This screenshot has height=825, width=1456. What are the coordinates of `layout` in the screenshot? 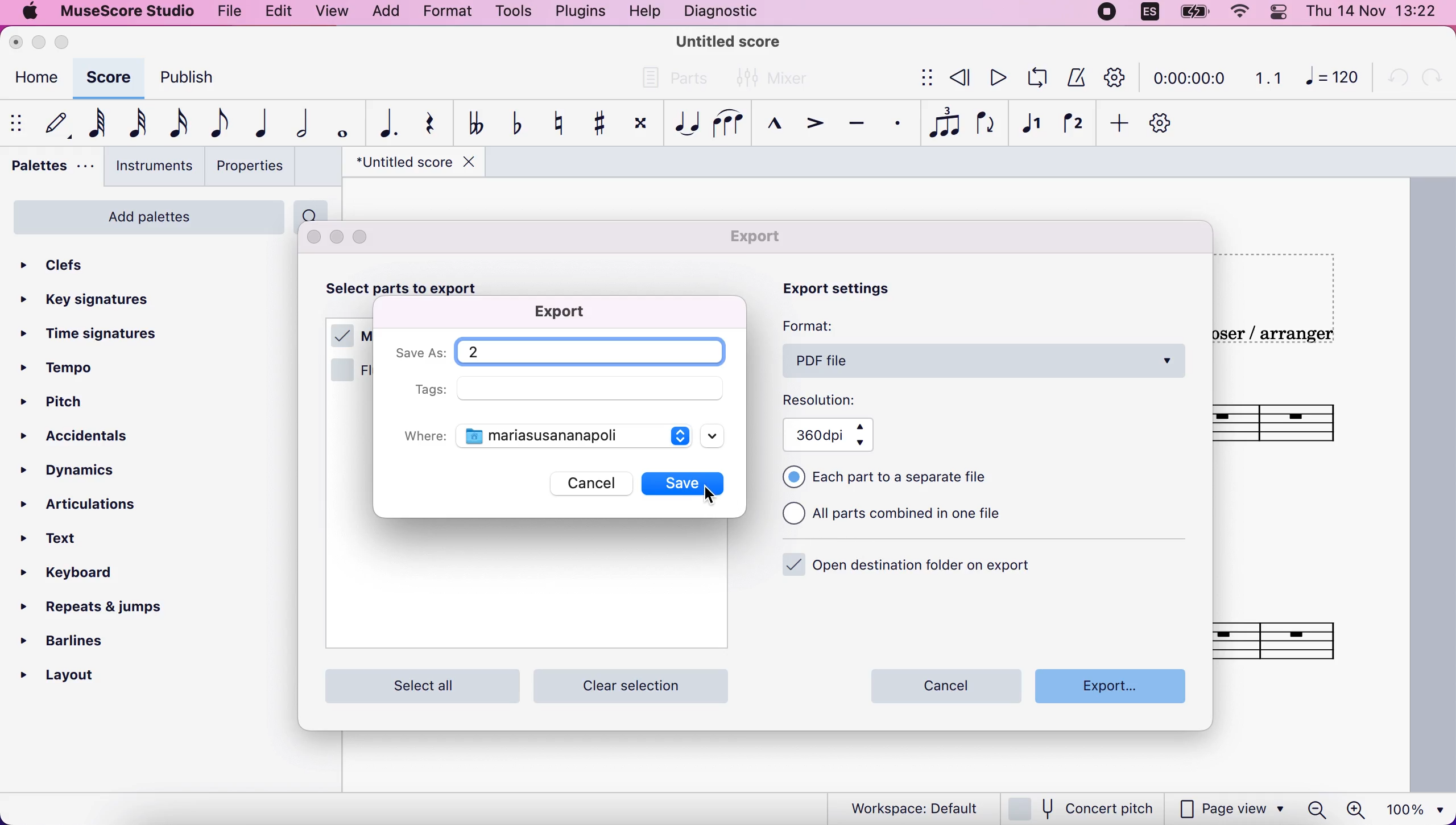 It's located at (78, 676).